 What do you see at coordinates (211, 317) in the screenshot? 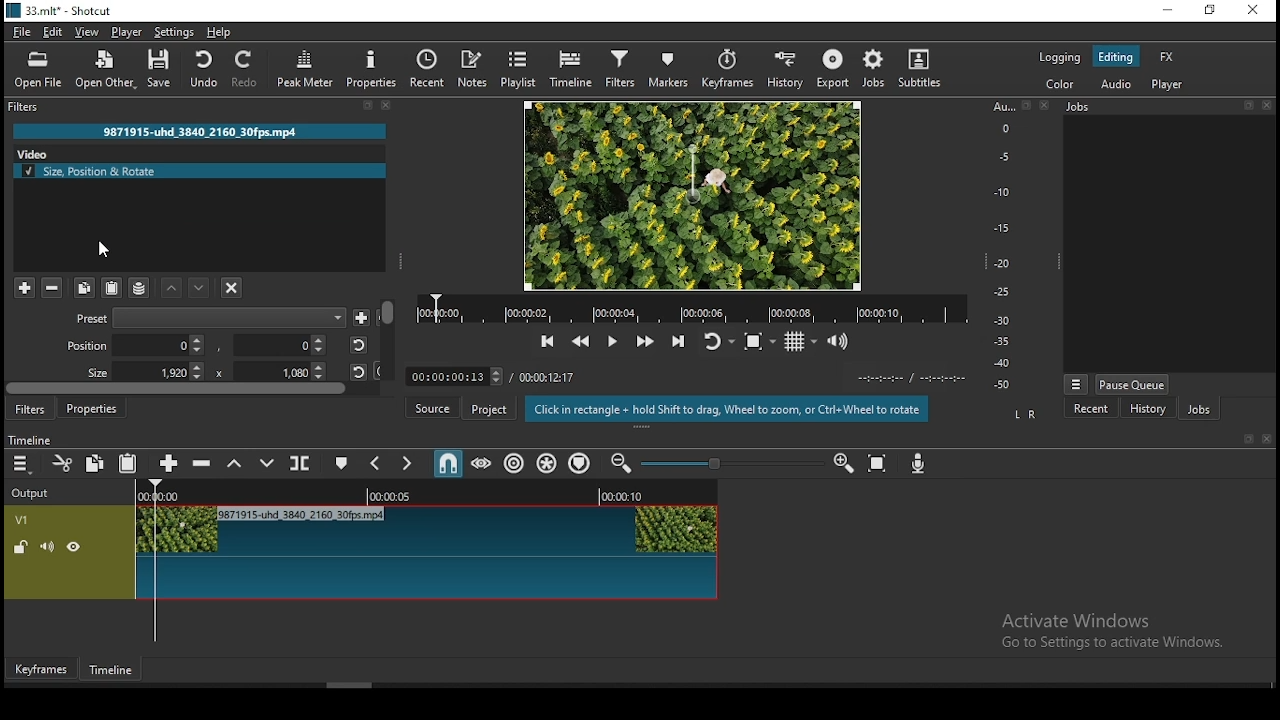
I see `preset` at bounding box center [211, 317].